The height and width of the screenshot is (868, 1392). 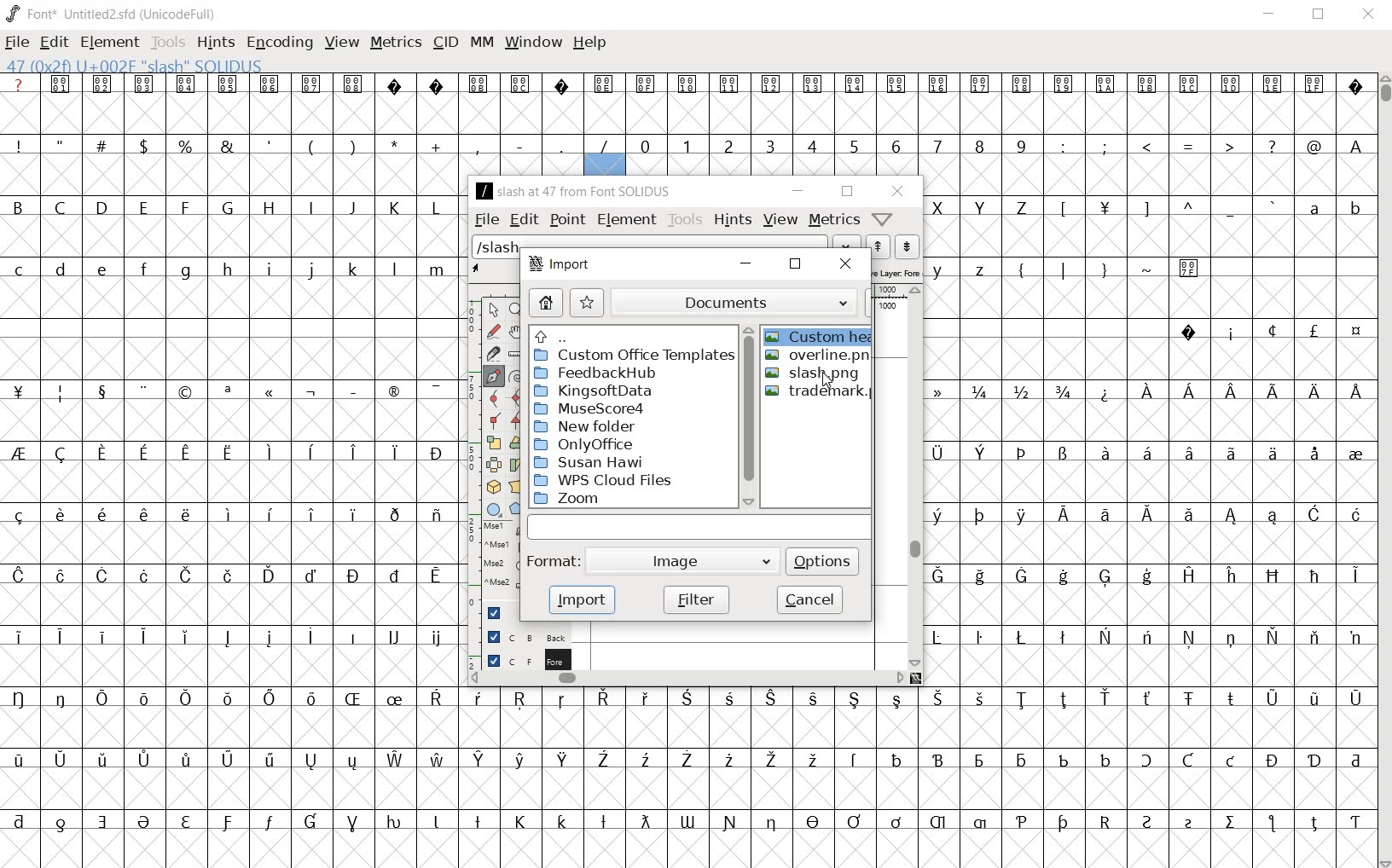 I want to click on documents, so click(x=744, y=303).